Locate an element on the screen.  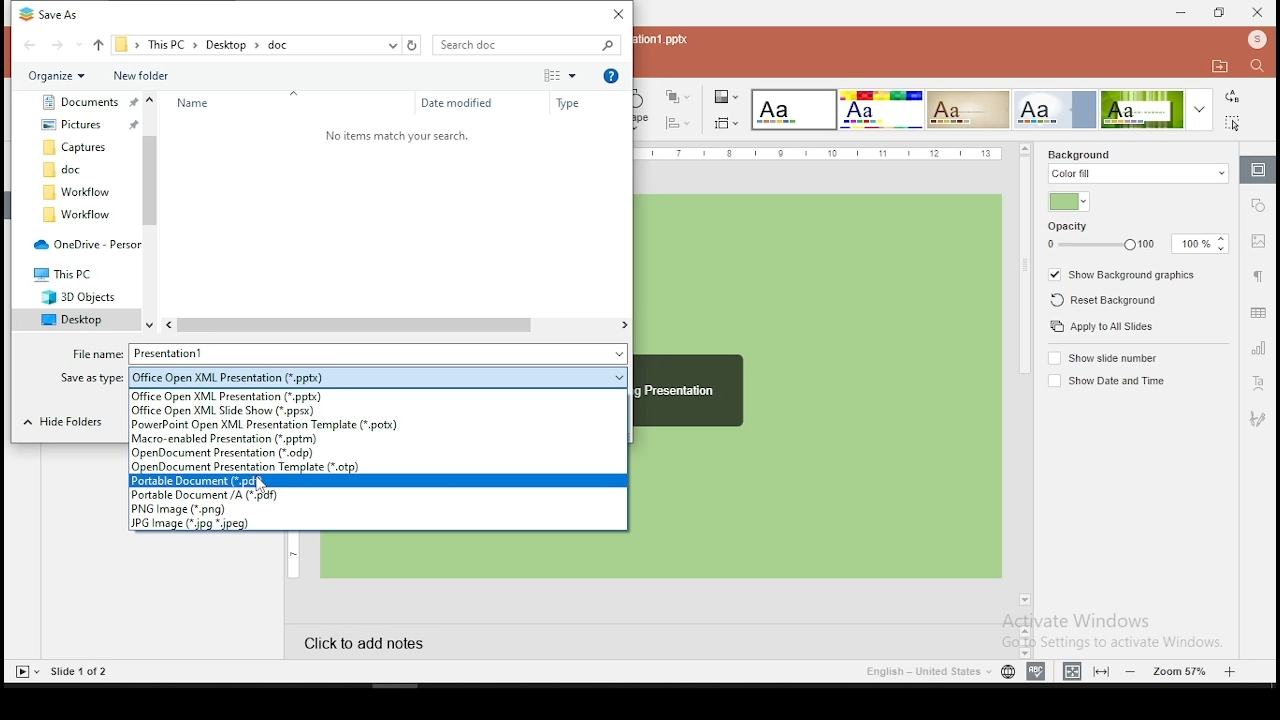
Type is located at coordinates (574, 103).